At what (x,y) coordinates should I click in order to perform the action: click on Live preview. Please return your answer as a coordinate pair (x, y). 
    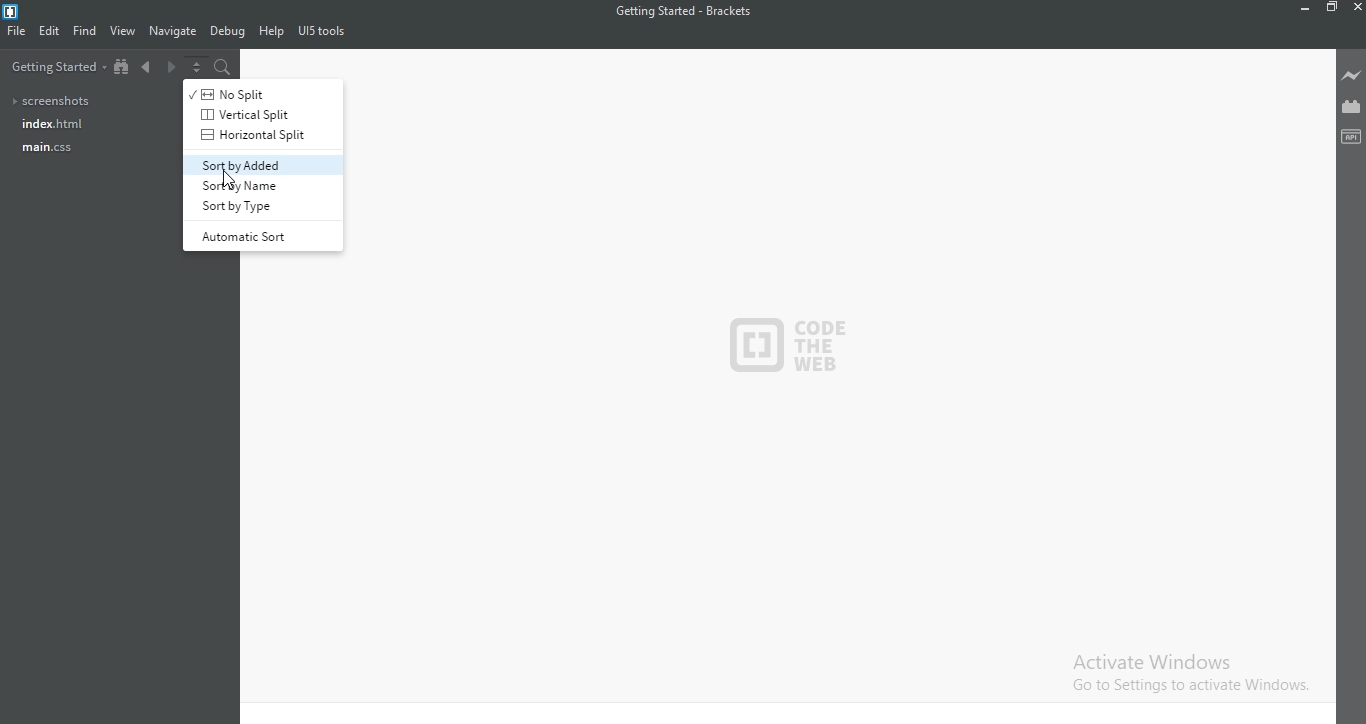
    Looking at the image, I should click on (1353, 76).